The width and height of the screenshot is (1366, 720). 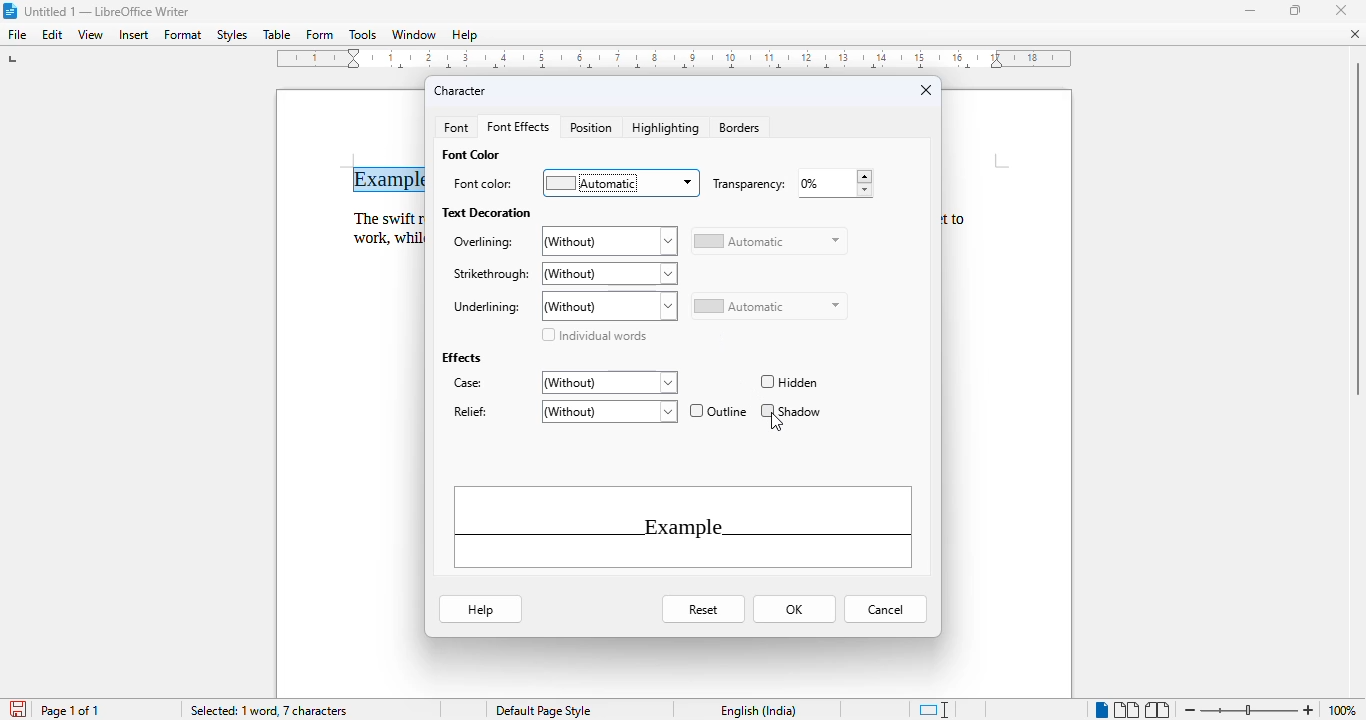 I want to click on text decoration, so click(x=487, y=212).